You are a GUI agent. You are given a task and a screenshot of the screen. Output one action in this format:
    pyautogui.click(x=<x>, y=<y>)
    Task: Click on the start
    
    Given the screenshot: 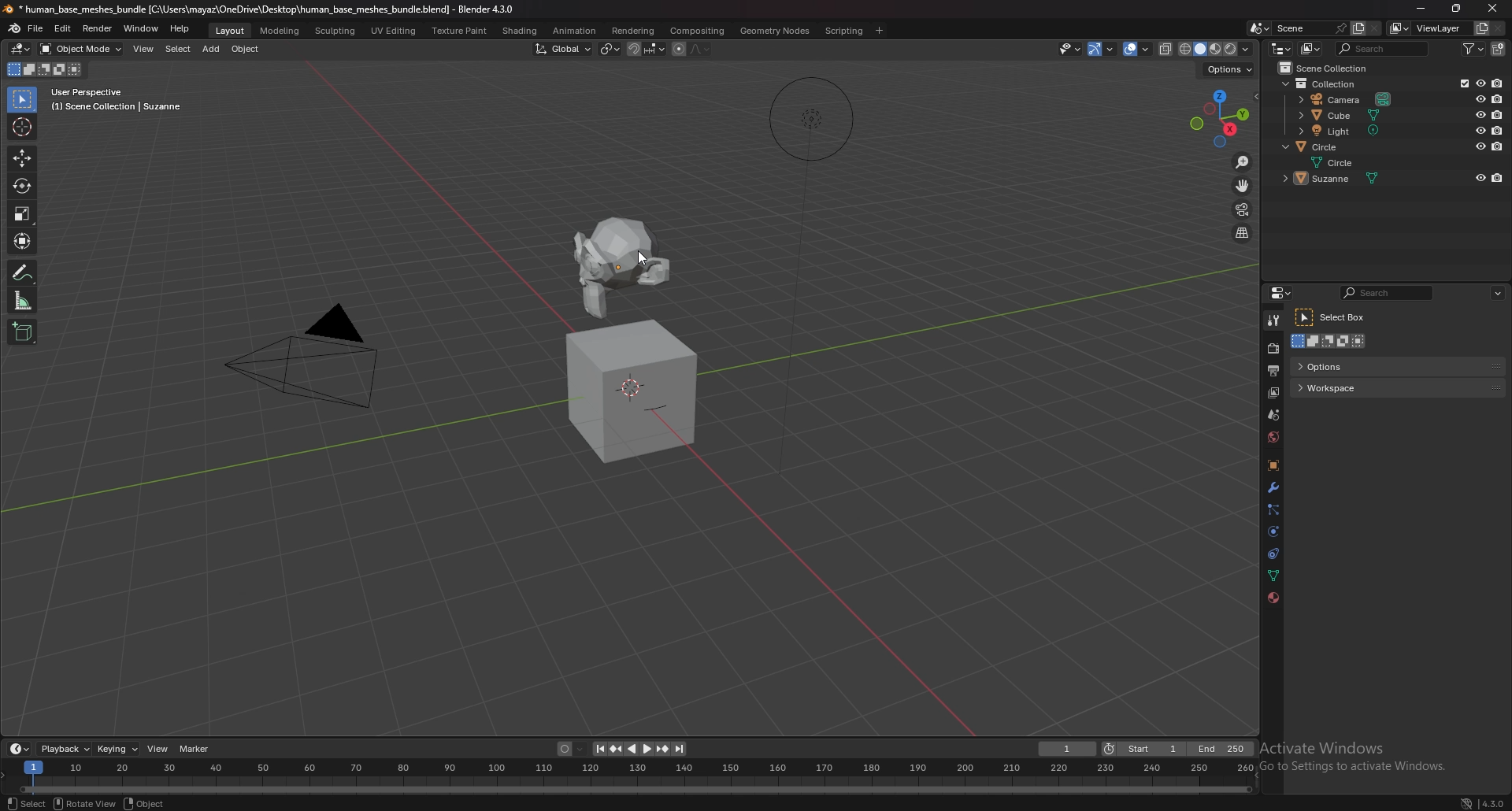 What is the action you would take?
    pyautogui.click(x=1144, y=748)
    